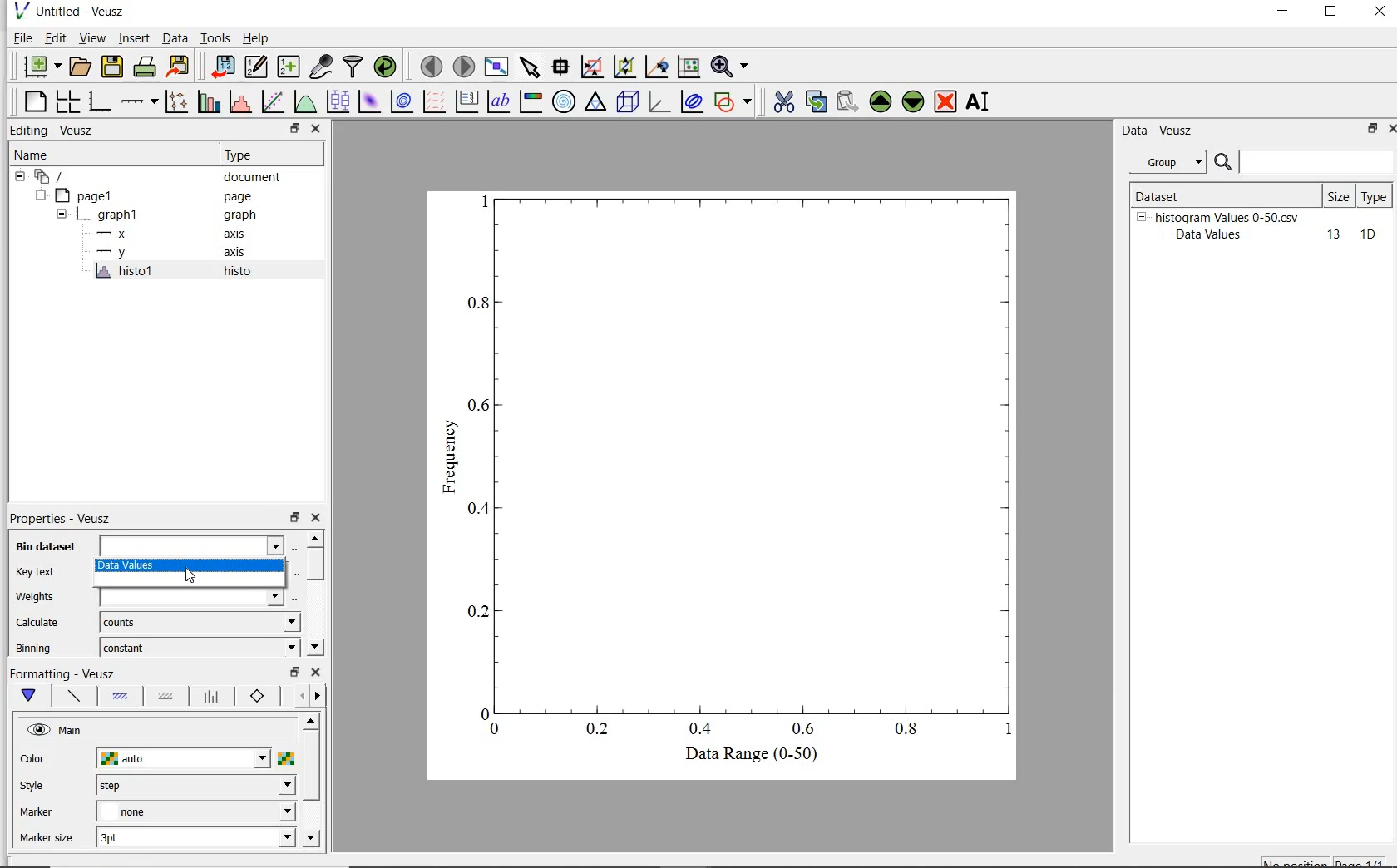 The height and width of the screenshot is (868, 1397). What do you see at coordinates (294, 518) in the screenshot?
I see `restore down` at bounding box center [294, 518].